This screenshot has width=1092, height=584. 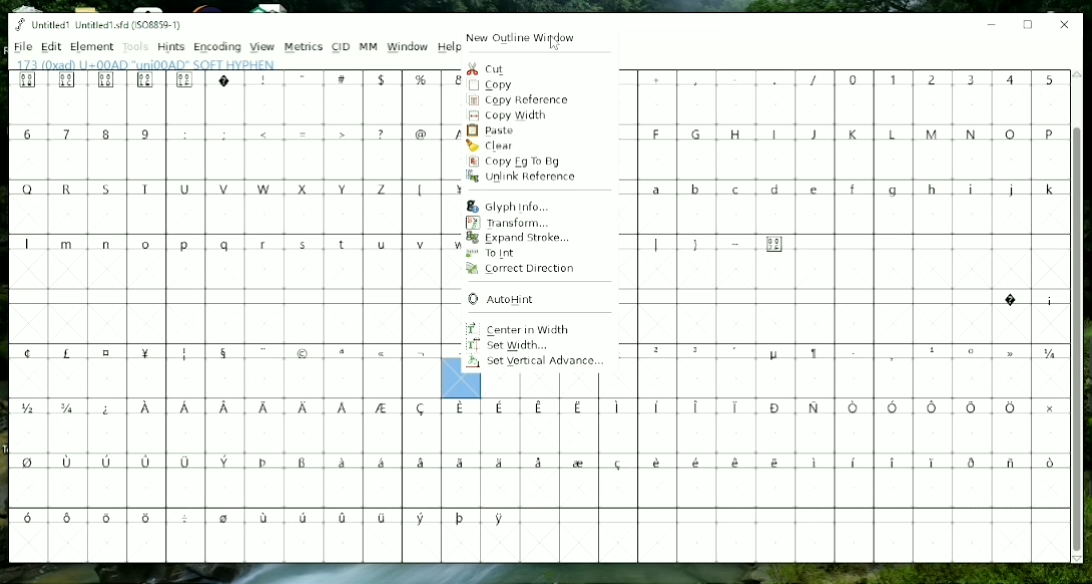 I want to click on Minimize, so click(x=992, y=23).